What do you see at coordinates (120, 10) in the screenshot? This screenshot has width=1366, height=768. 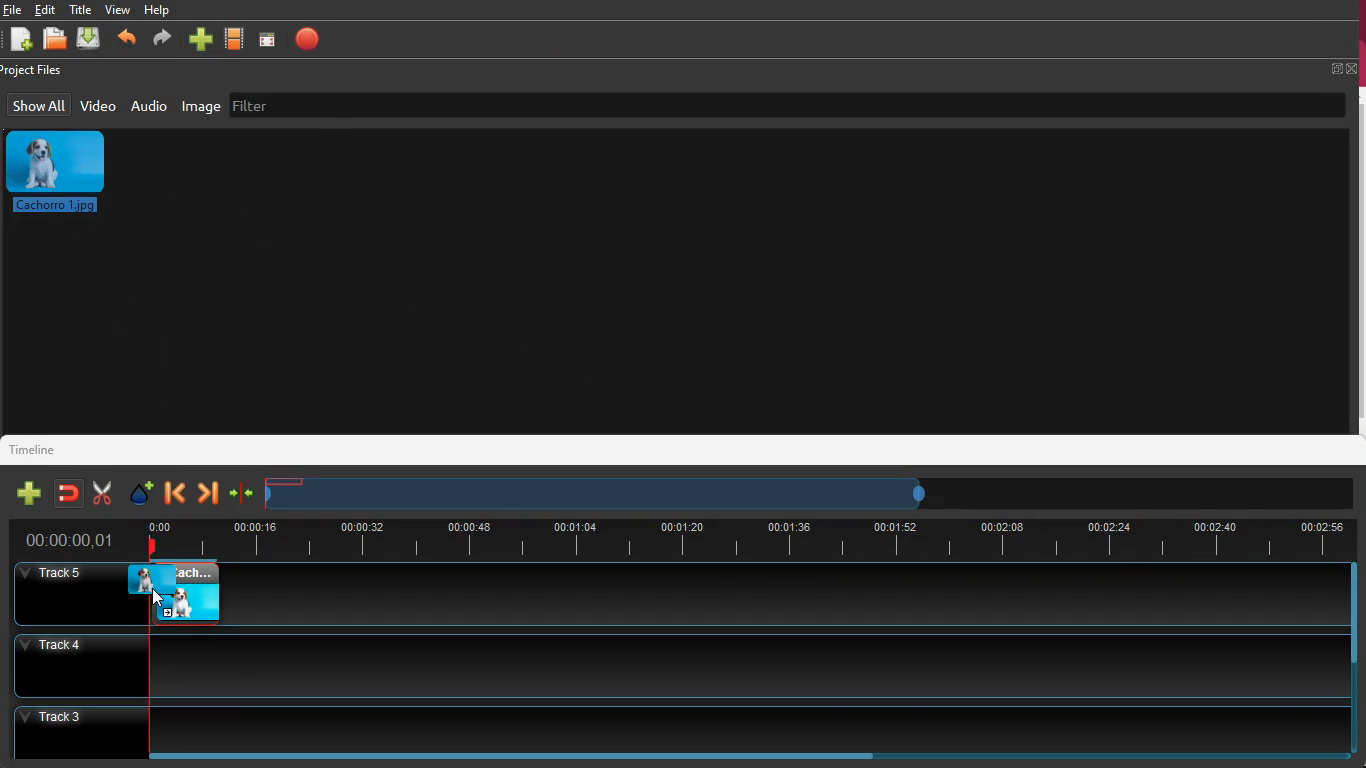 I see `view` at bounding box center [120, 10].